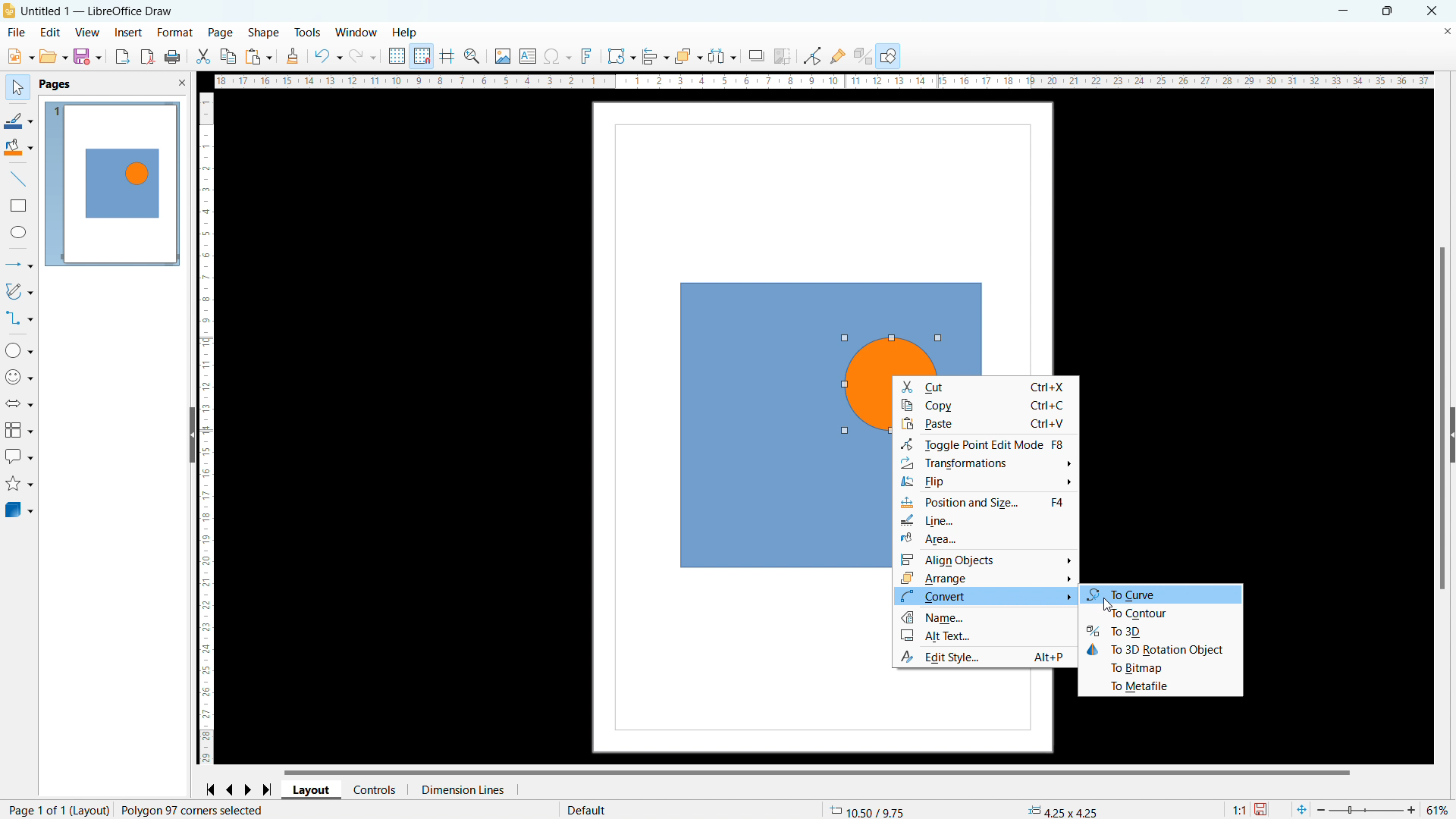 The image size is (1456, 819). I want to click on open, so click(54, 55).